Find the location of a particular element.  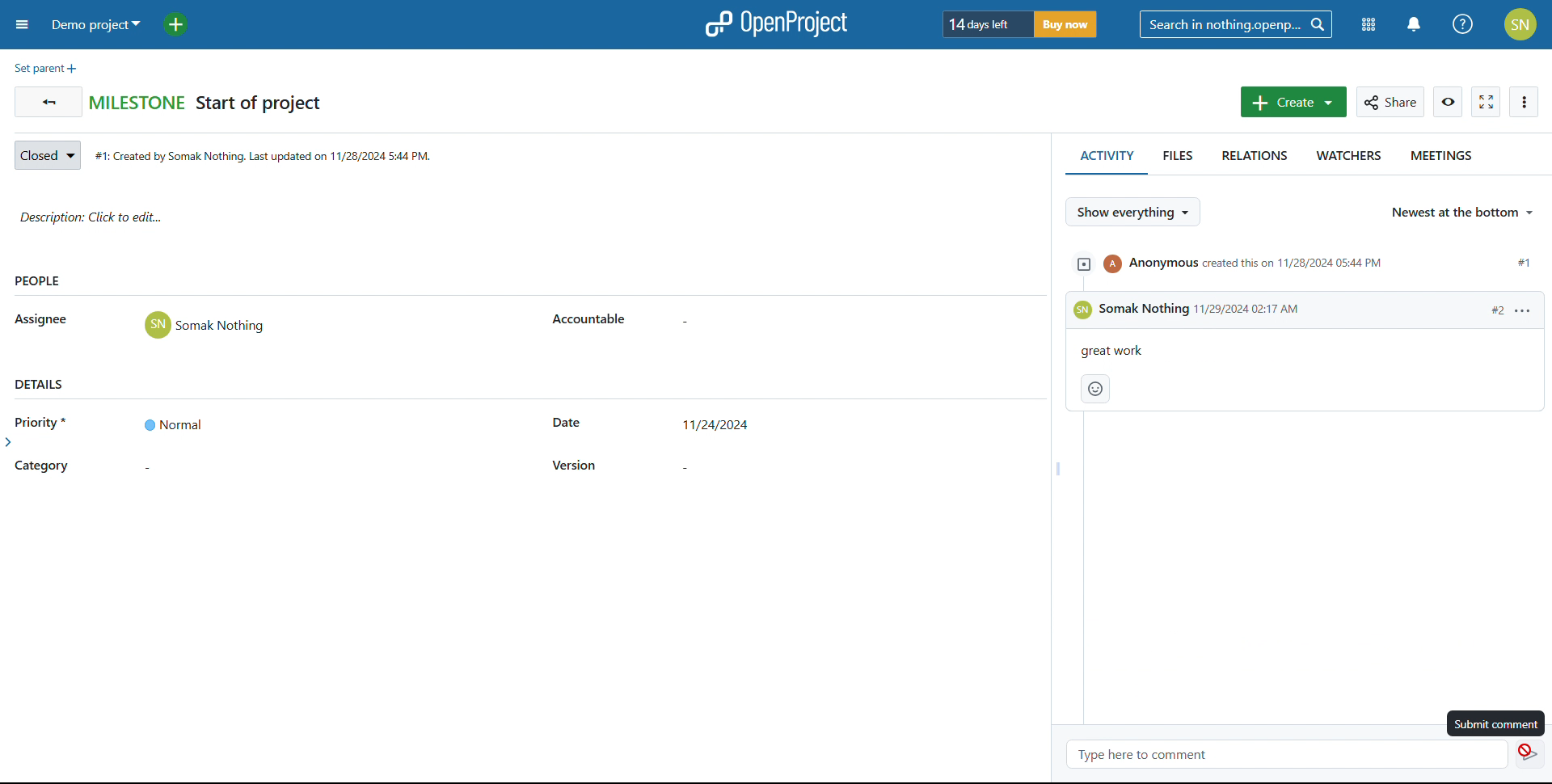

demo project is located at coordinates (97, 24).